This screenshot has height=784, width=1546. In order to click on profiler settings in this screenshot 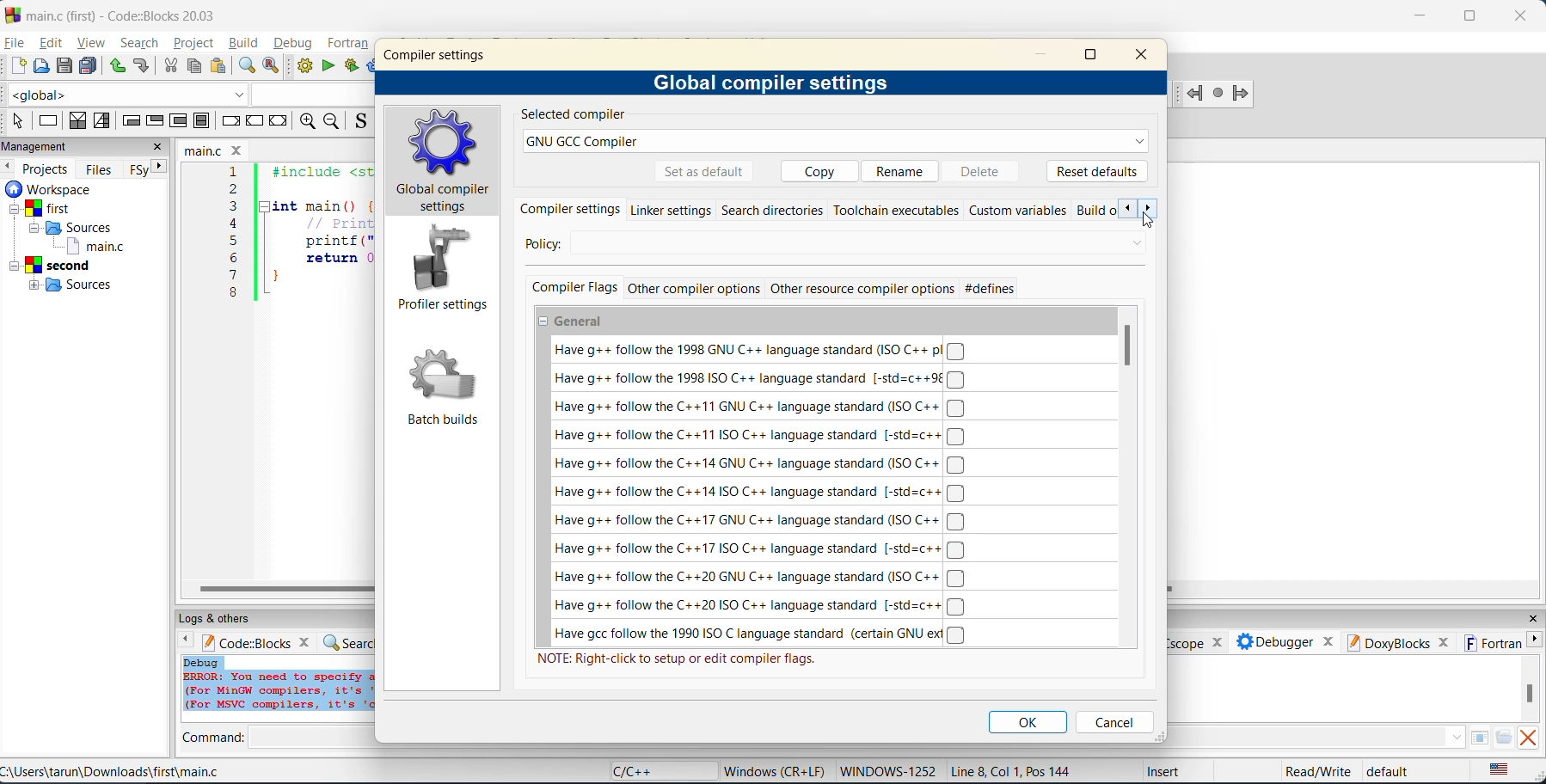, I will do `click(442, 271)`.